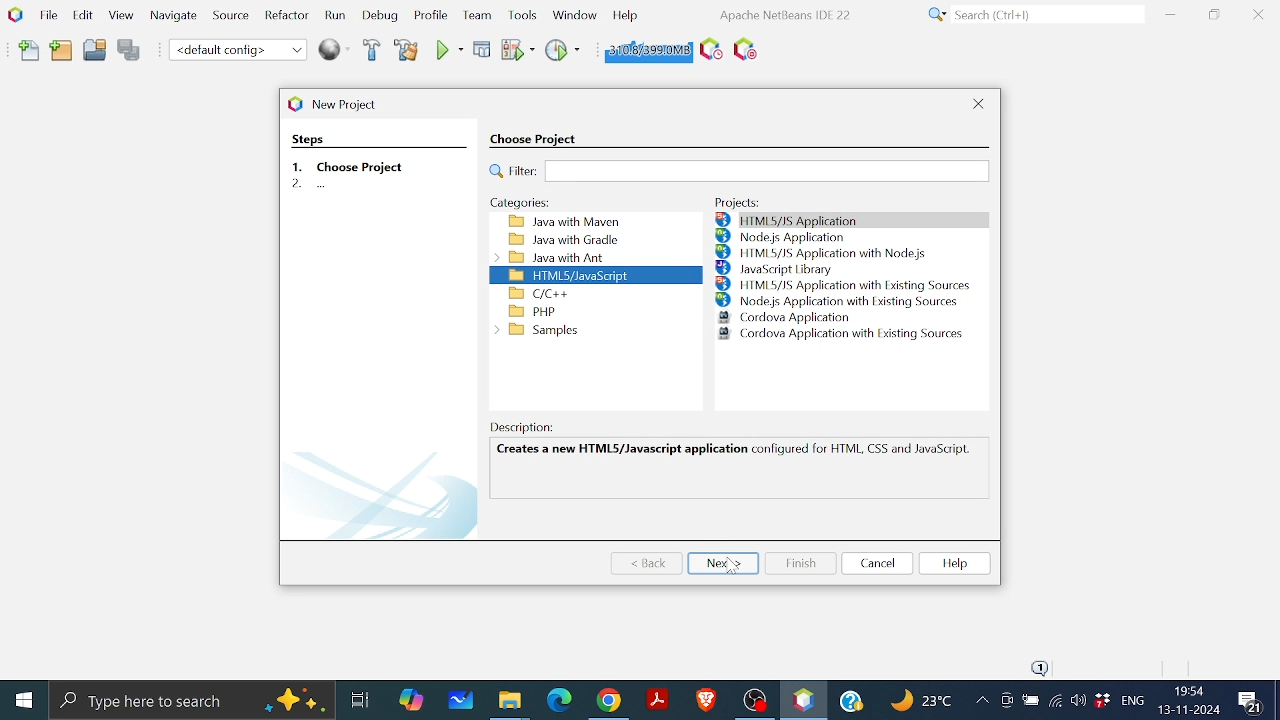 The width and height of the screenshot is (1280, 720). I want to click on White board, so click(463, 699).